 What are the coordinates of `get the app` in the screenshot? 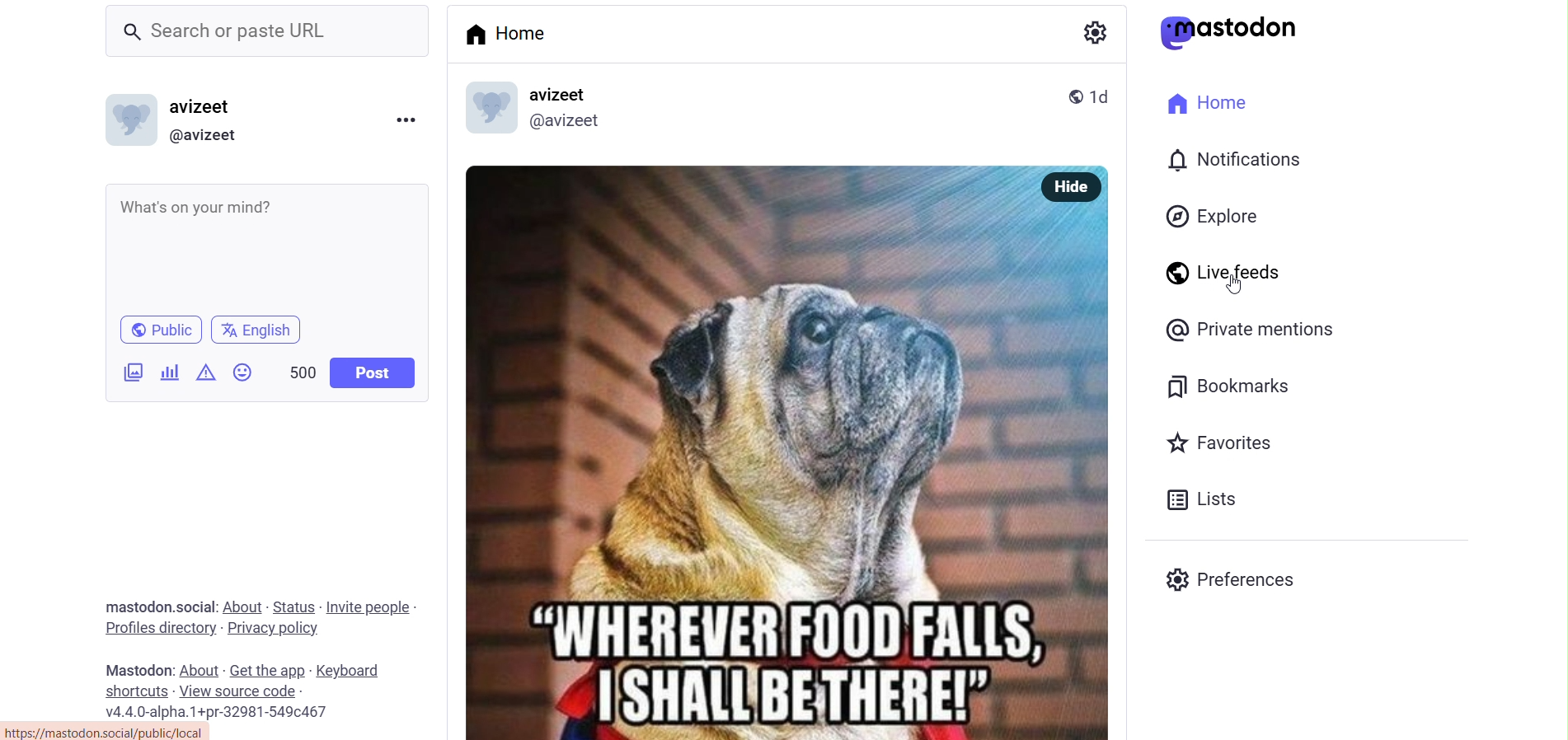 It's located at (268, 670).